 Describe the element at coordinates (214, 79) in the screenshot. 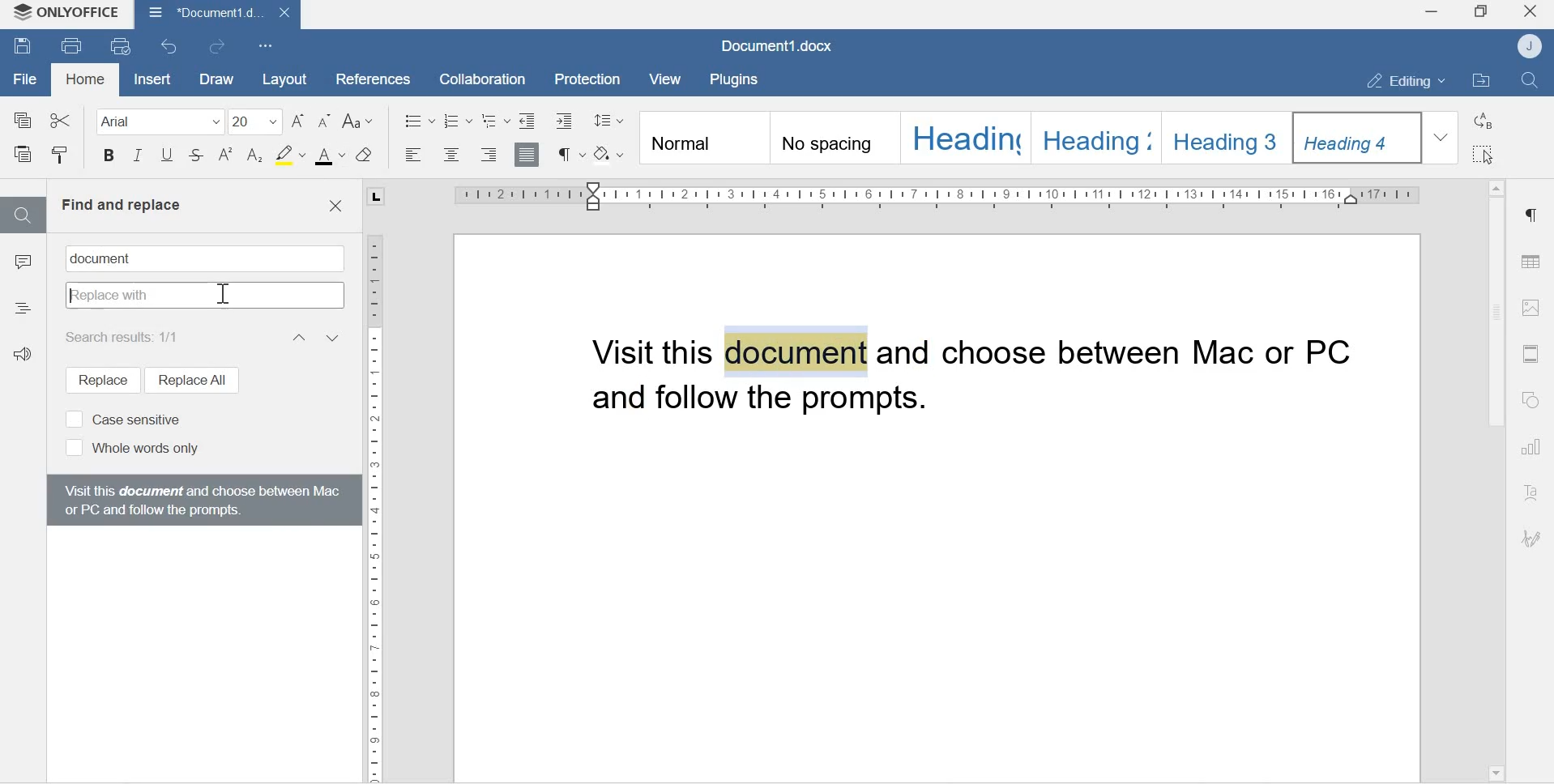

I see `Draw` at that location.